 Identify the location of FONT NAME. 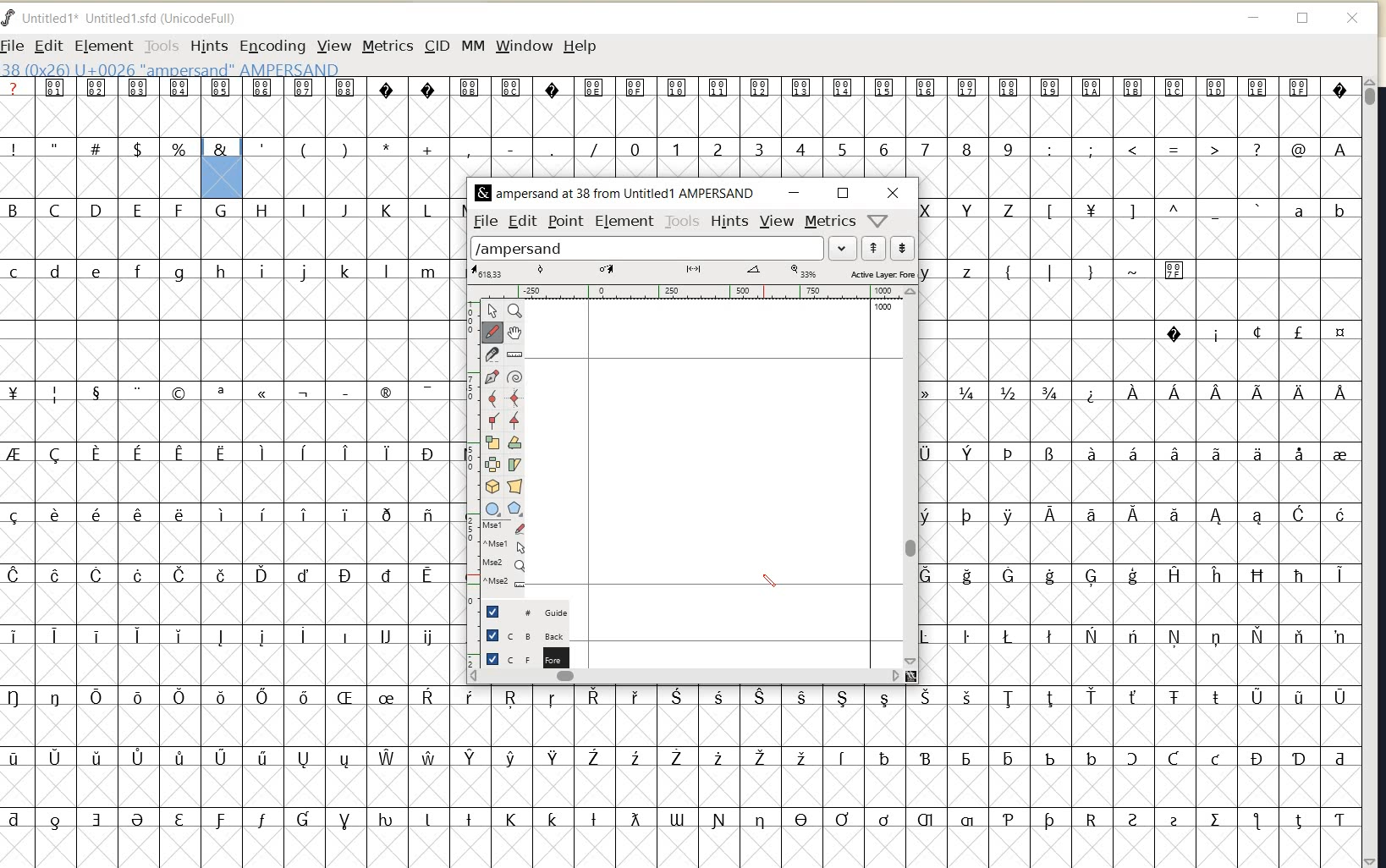
(128, 18).